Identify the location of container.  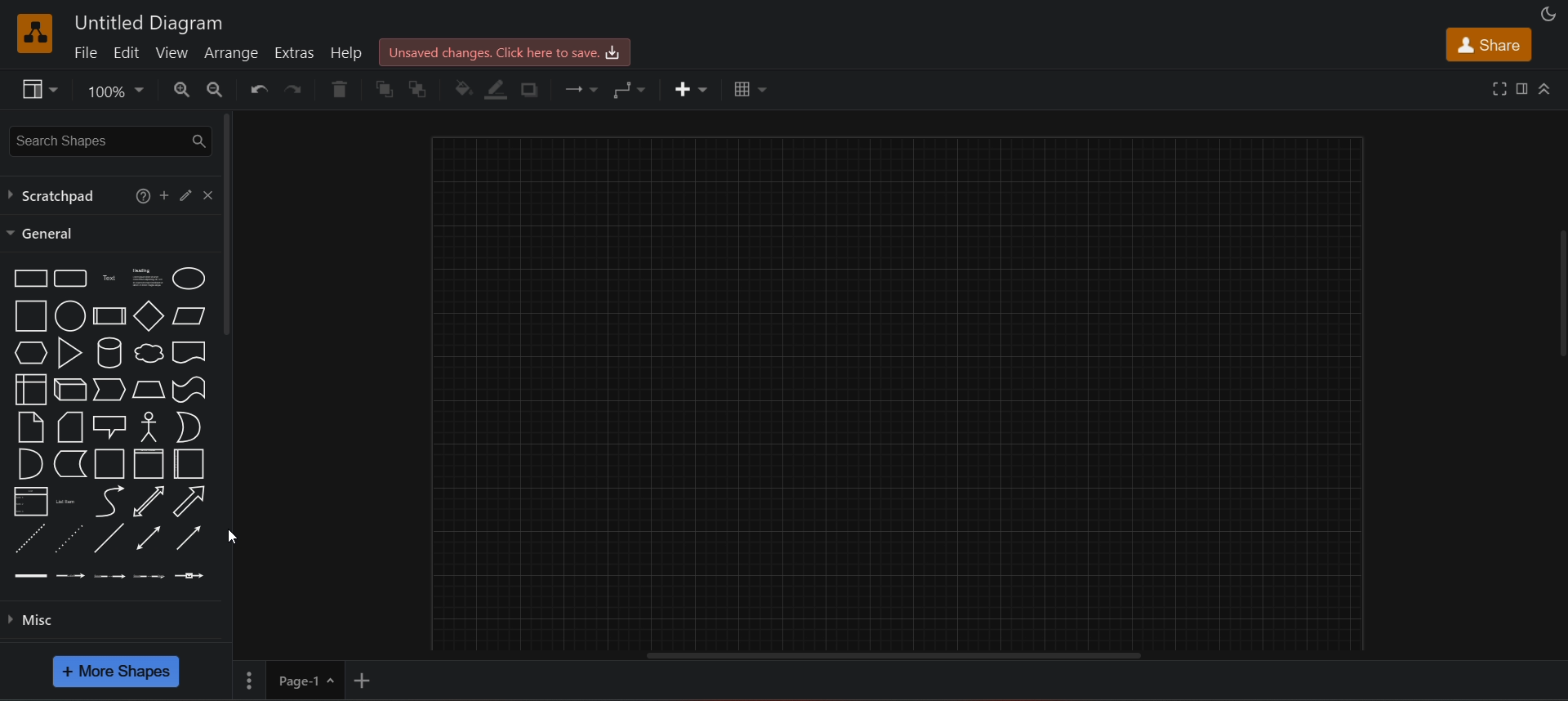
(147, 464).